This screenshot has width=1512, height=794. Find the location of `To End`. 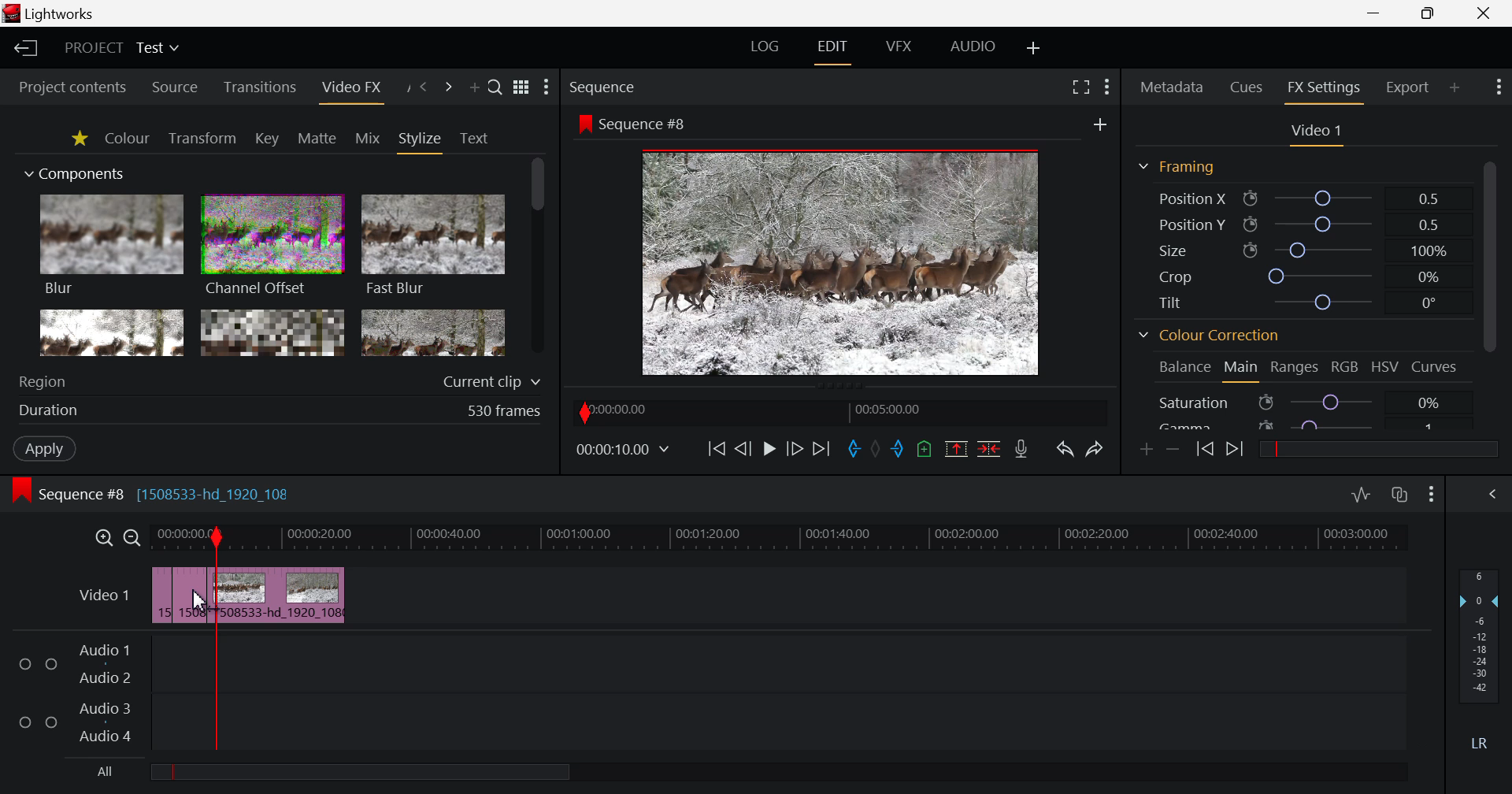

To End is located at coordinates (821, 450).